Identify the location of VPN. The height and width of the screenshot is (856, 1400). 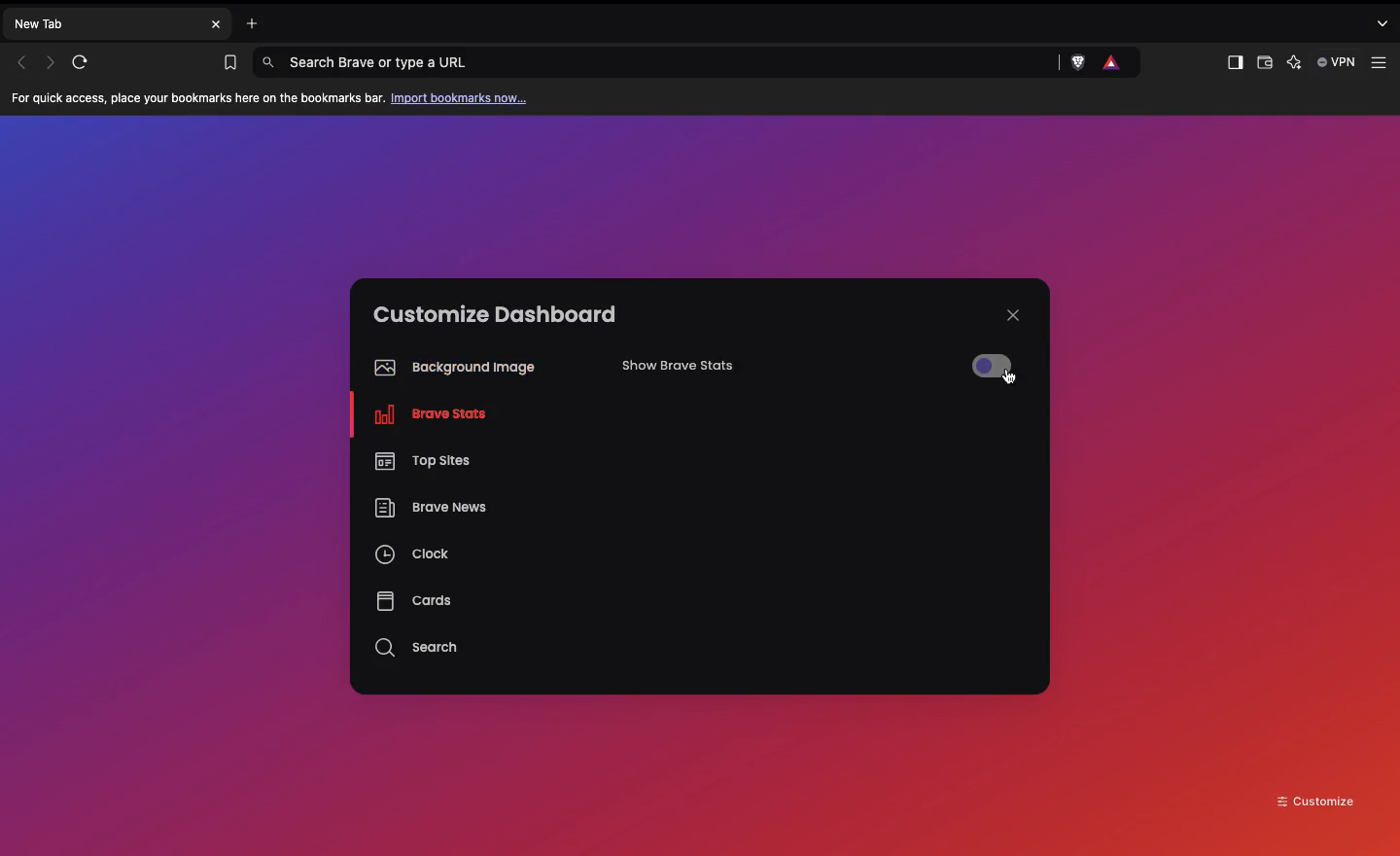
(1338, 62).